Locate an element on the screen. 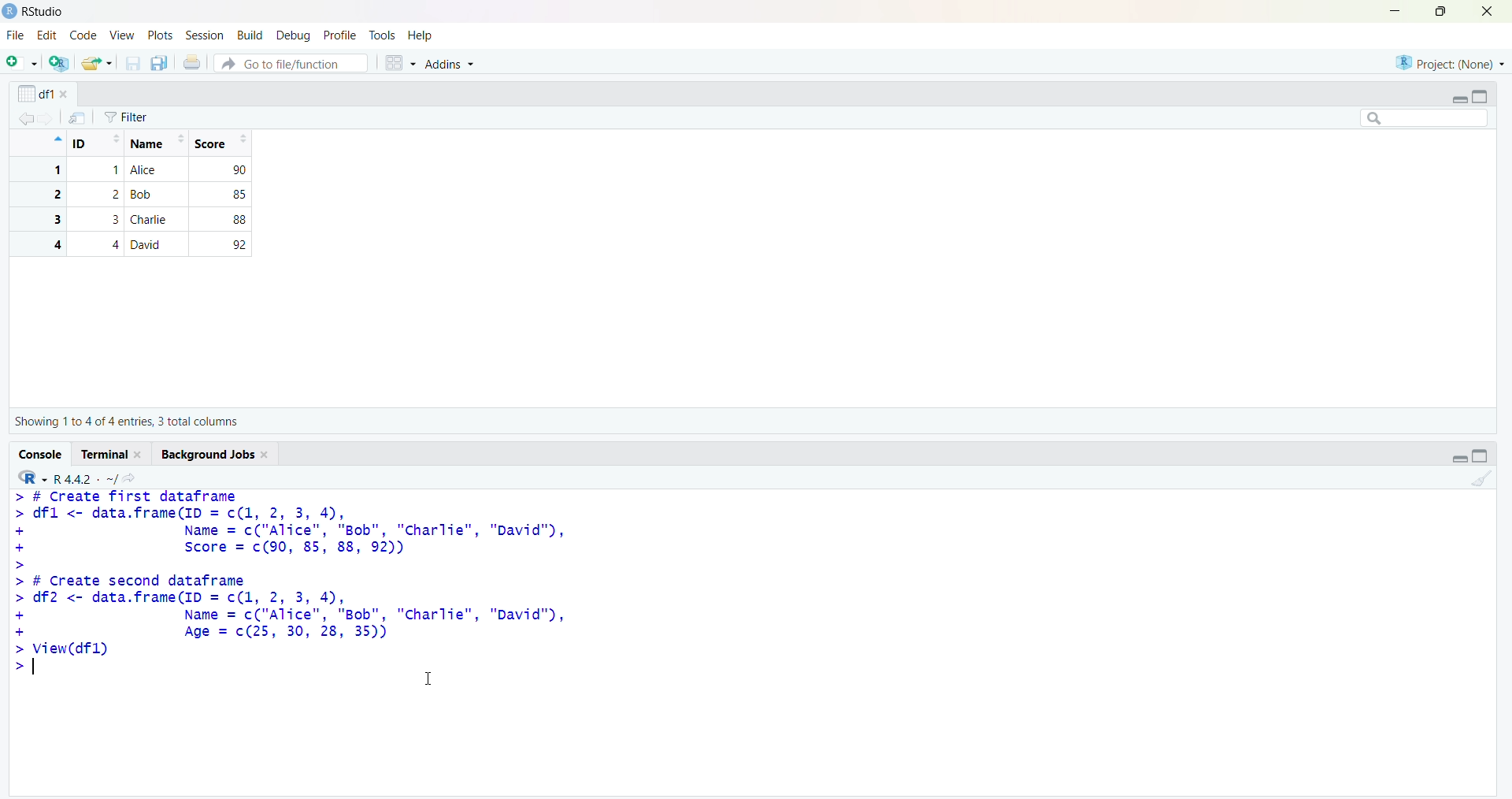 The image size is (1512, 799). 4 4 David 92 is located at coordinates (135, 244).